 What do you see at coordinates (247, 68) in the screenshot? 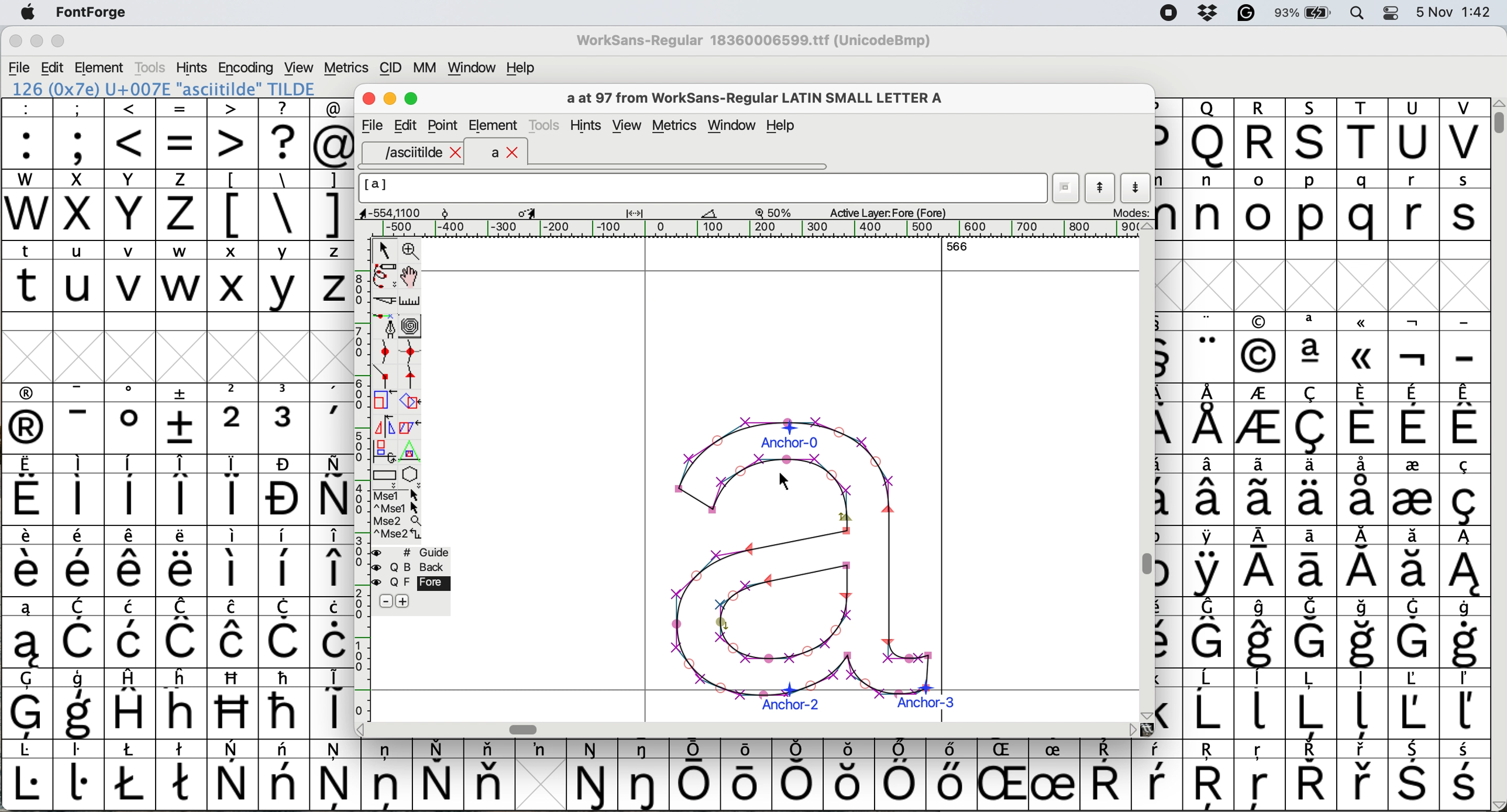
I see `encoding` at bounding box center [247, 68].